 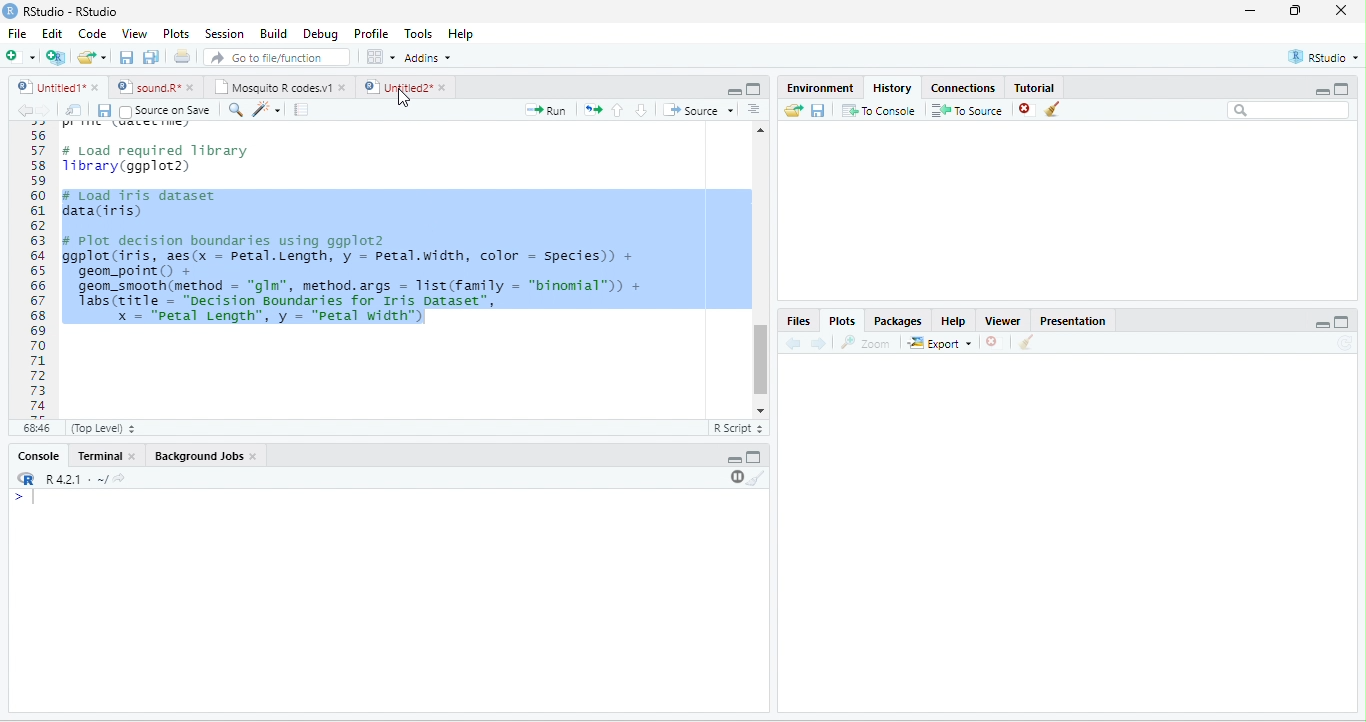 I want to click on Run file, so click(x=545, y=110).